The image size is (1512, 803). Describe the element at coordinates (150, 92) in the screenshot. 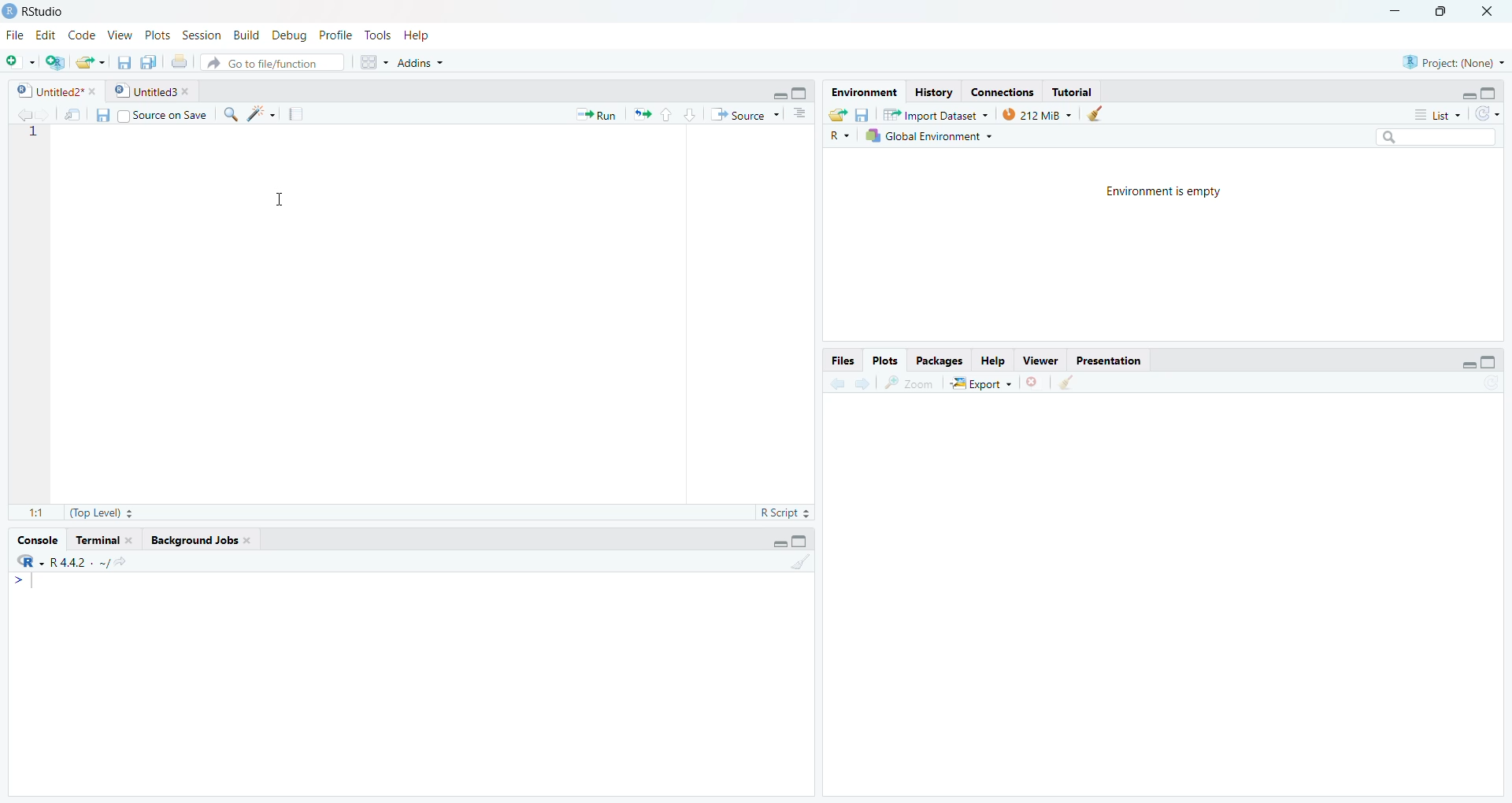

I see `untitled` at that location.